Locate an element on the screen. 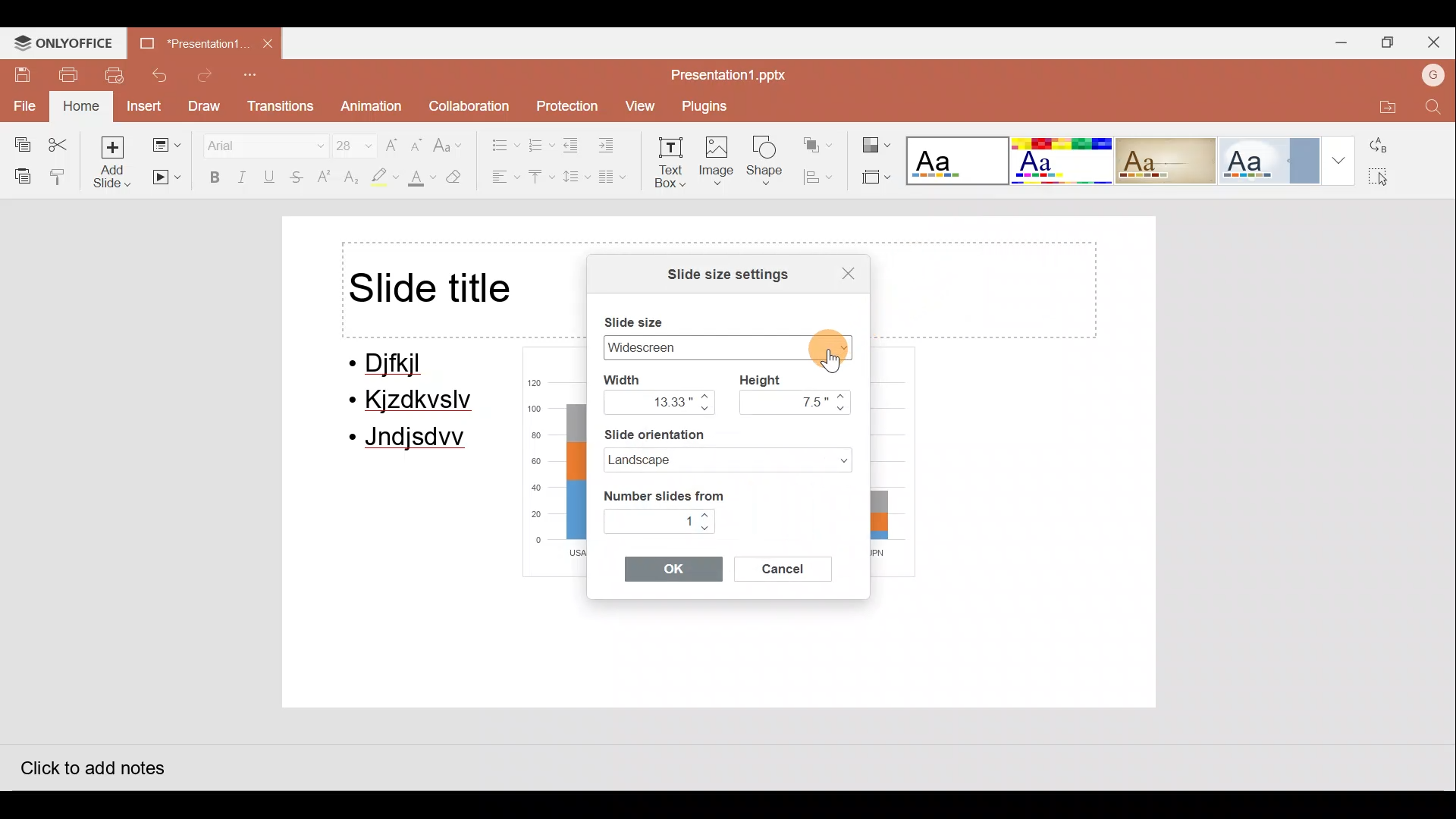 This screenshot has height=819, width=1456. Fill color is located at coordinates (419, 180).